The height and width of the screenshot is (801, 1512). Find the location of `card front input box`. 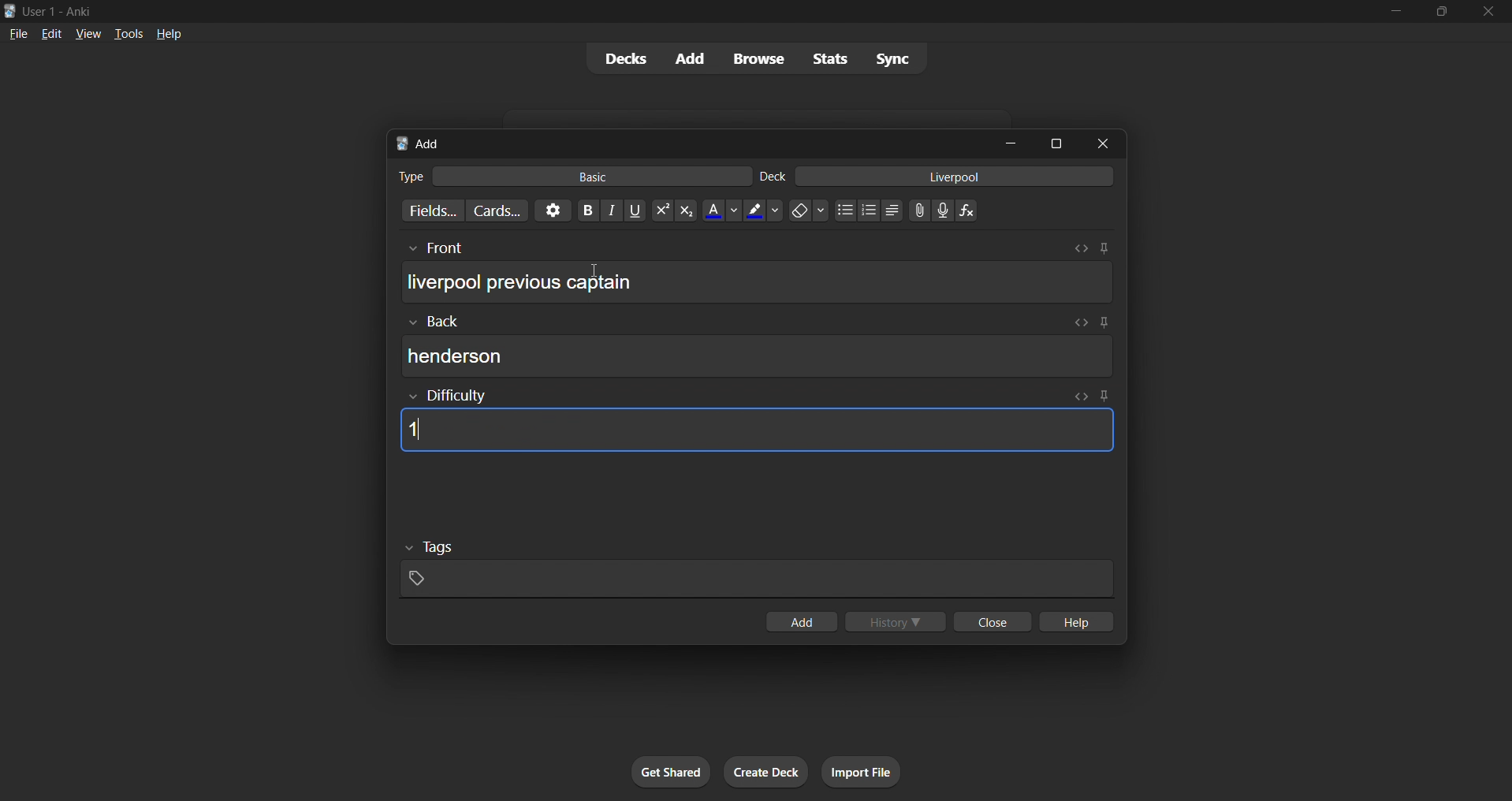

card front input box is located at coordinates (757, 277).